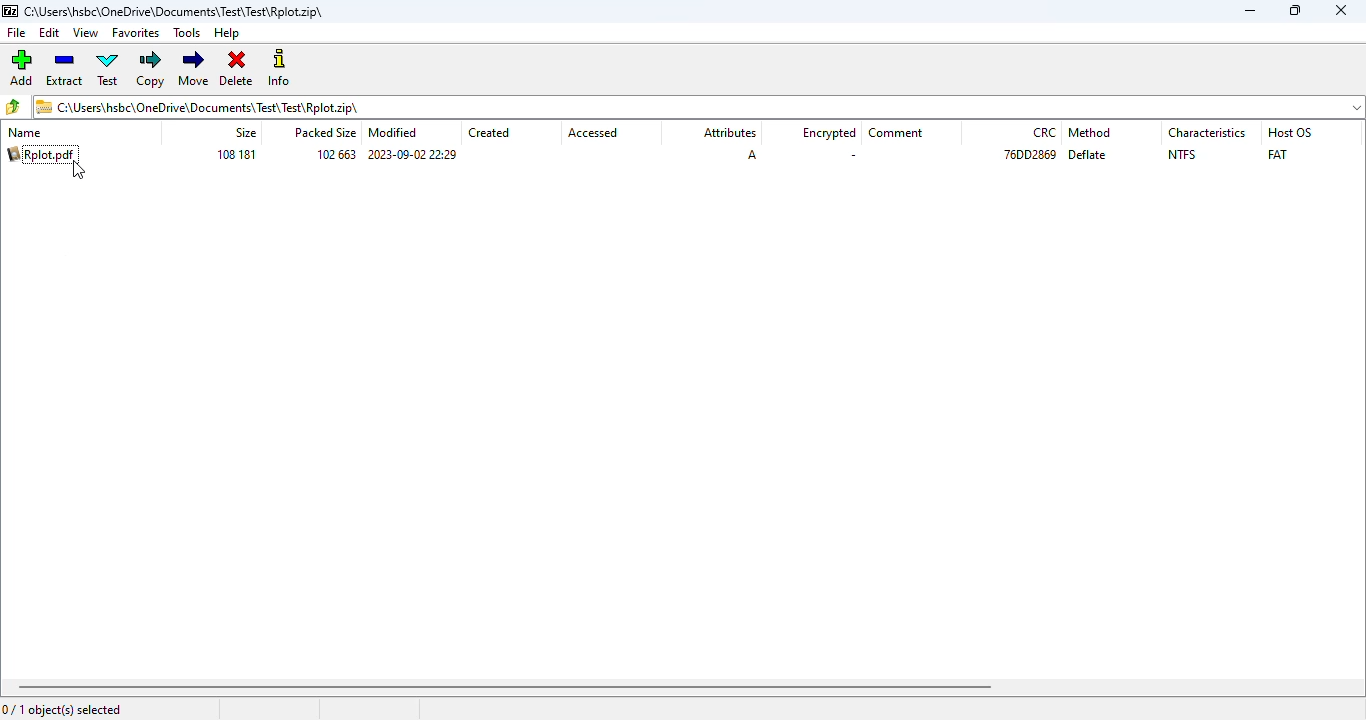 The image size is (1366, 720). I want to click on accessed, so click(594, 132).